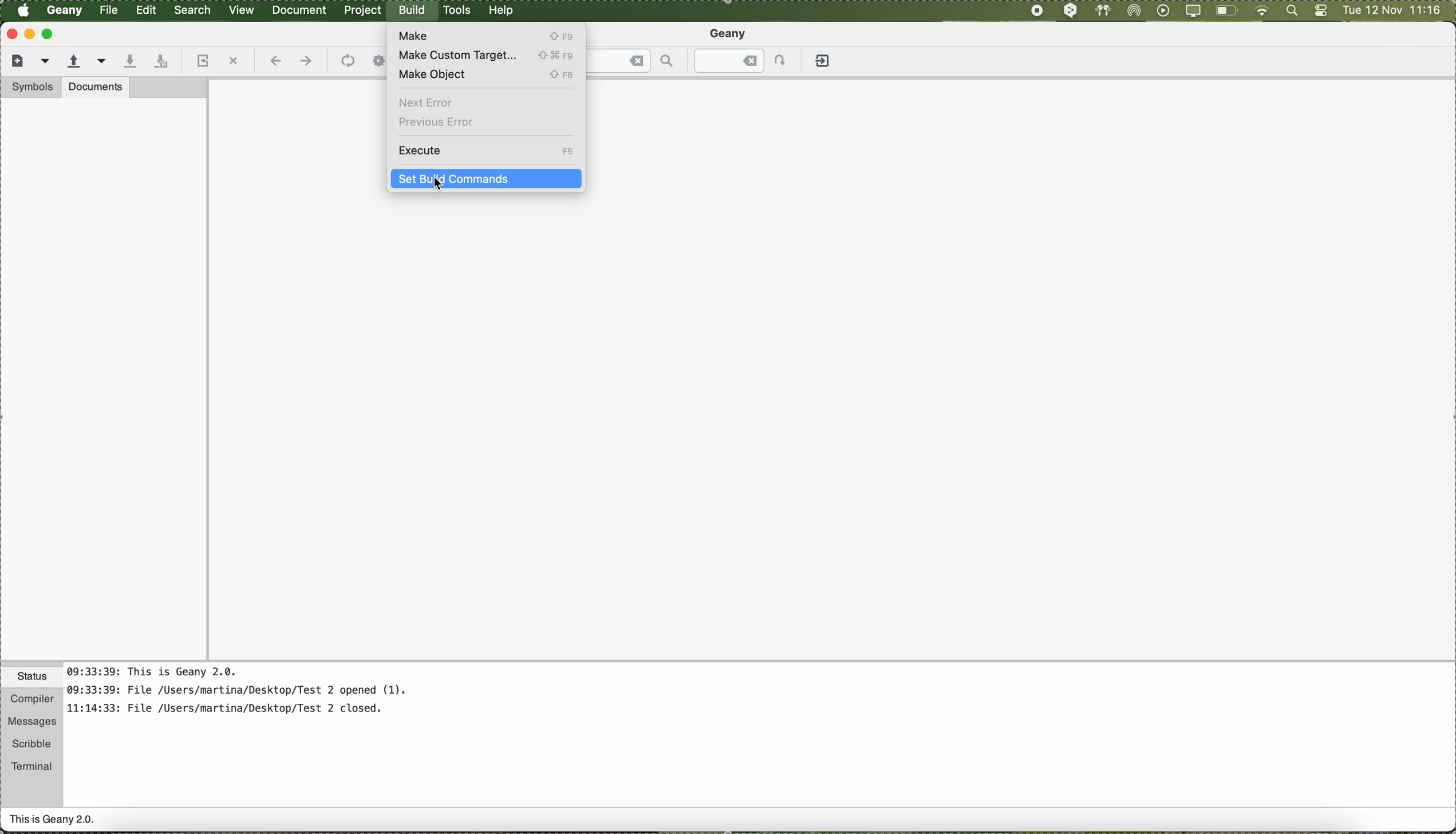 This screenshot has width=1456, height=834. I want to click on status, so click(32, 678).